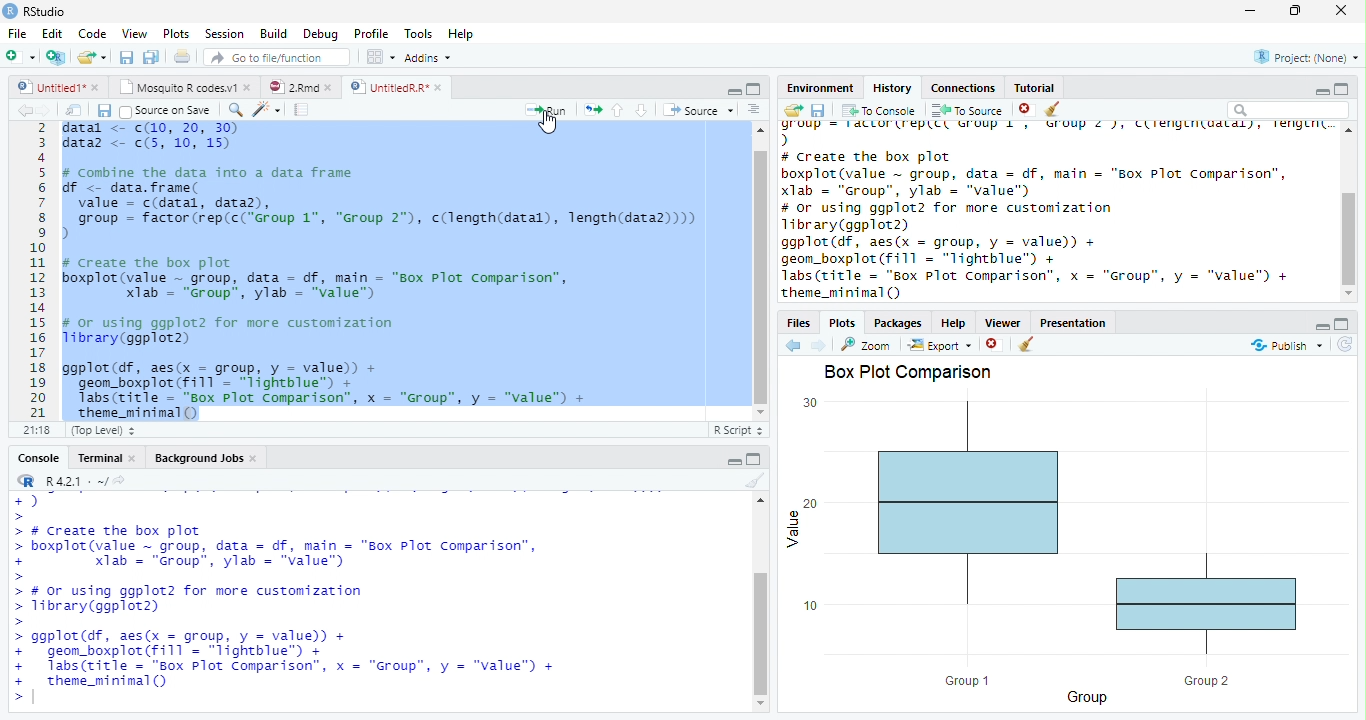 This screenshot has height=720, width=1366. I want to click on Environment, so click(821, 88).